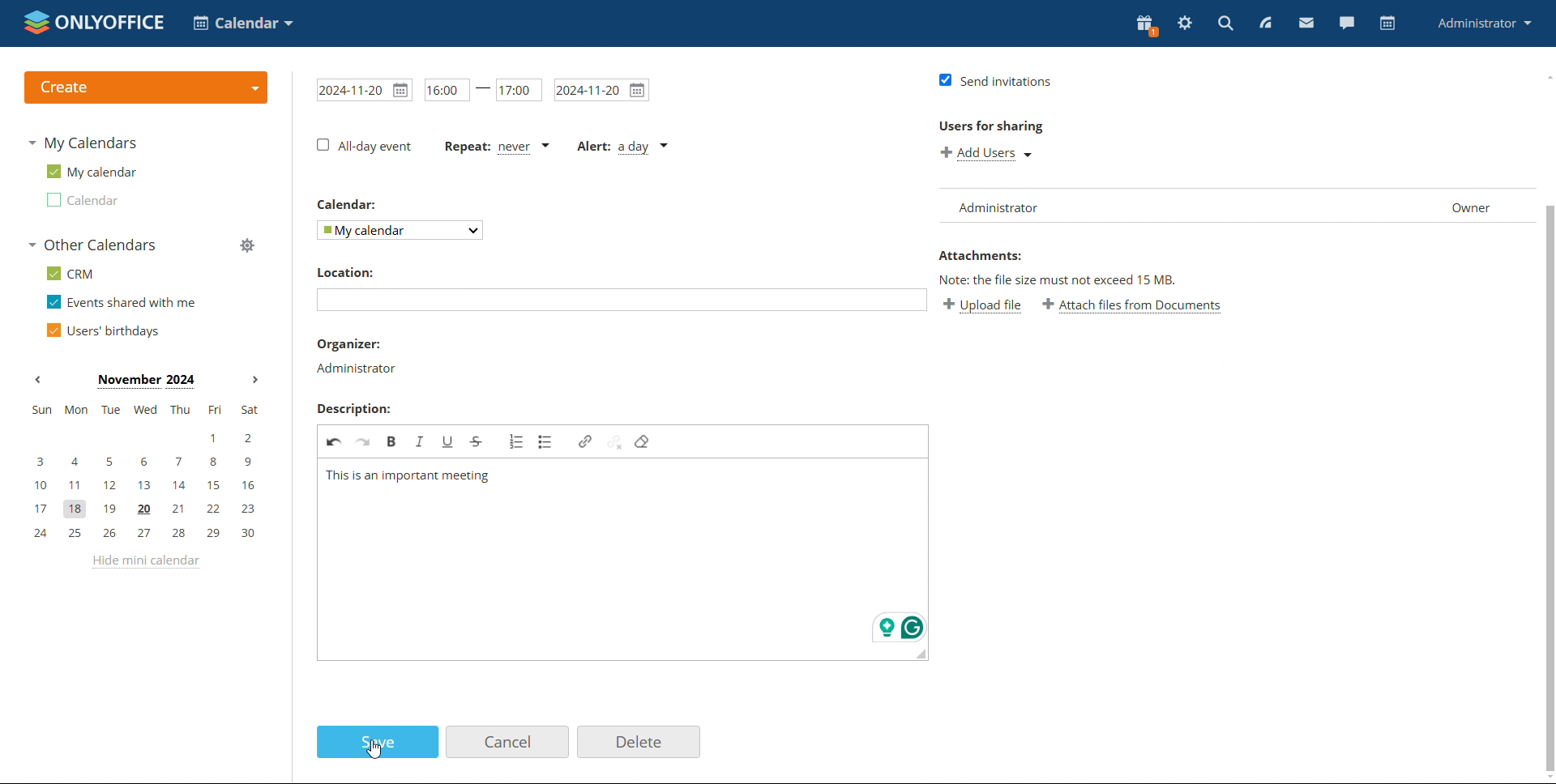  I want to click on resize box, so click(921, 654).